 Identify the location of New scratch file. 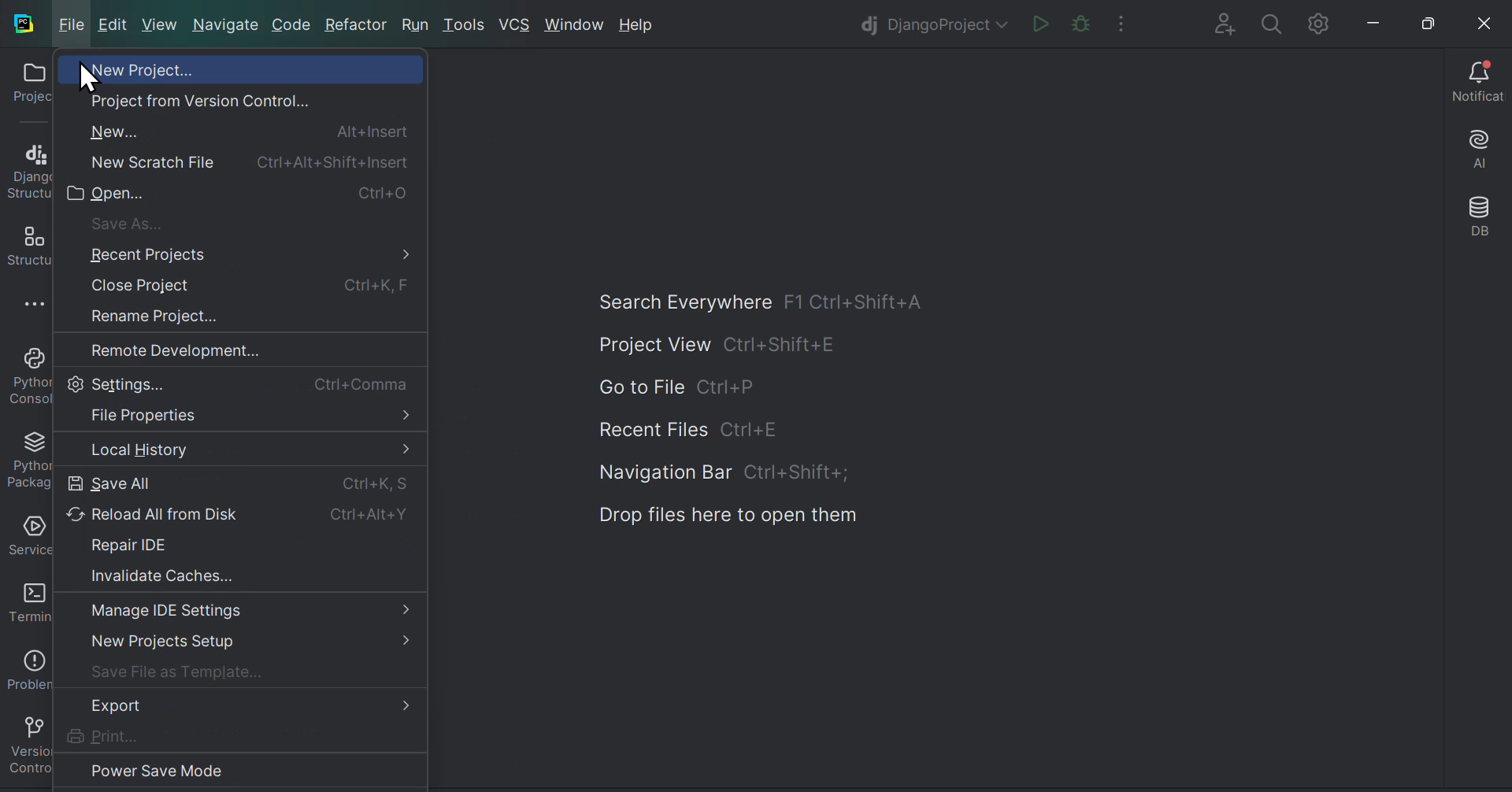
(243, 162).